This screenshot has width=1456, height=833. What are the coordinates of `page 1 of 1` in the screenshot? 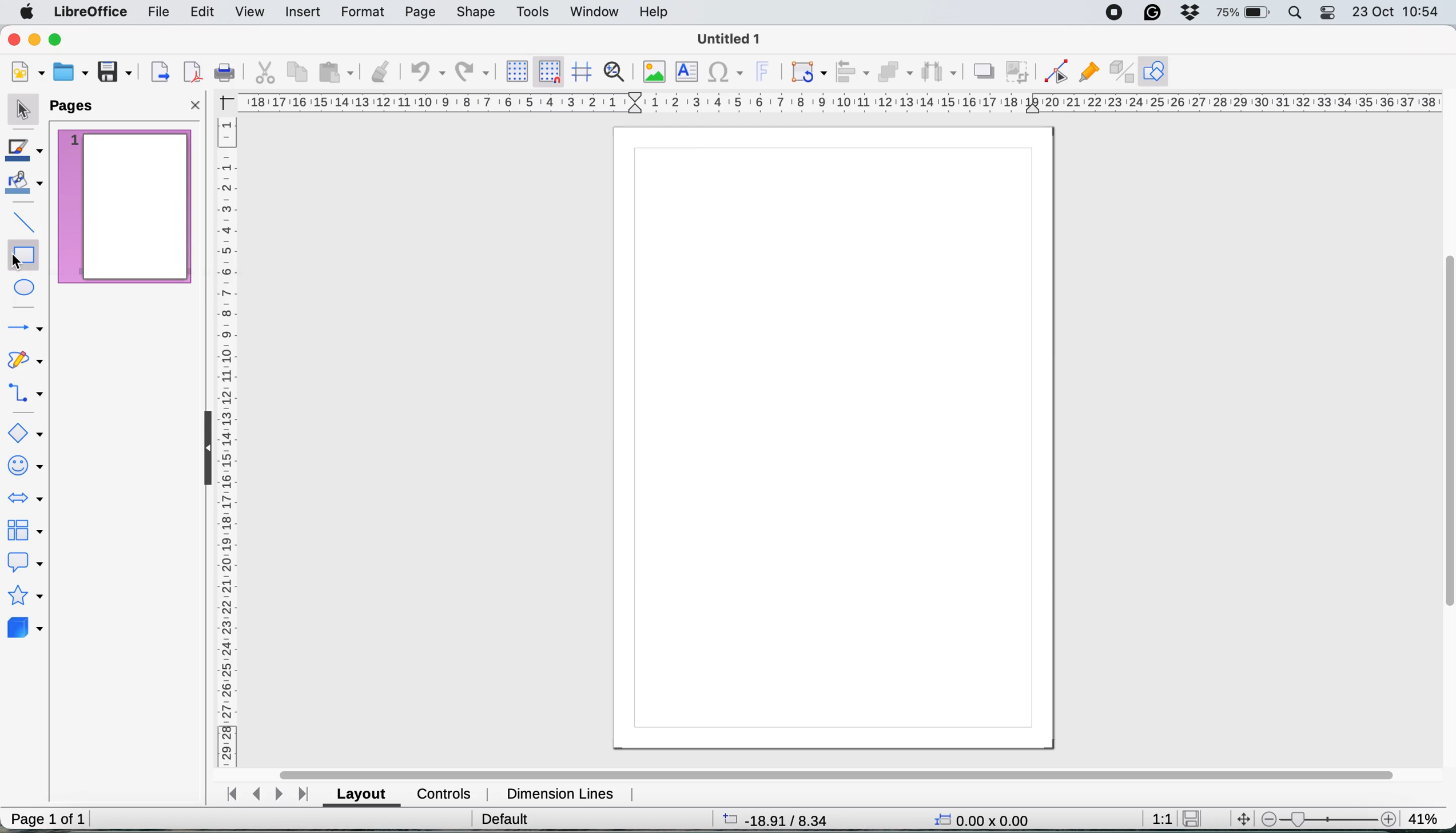 It's located at (47, 819).